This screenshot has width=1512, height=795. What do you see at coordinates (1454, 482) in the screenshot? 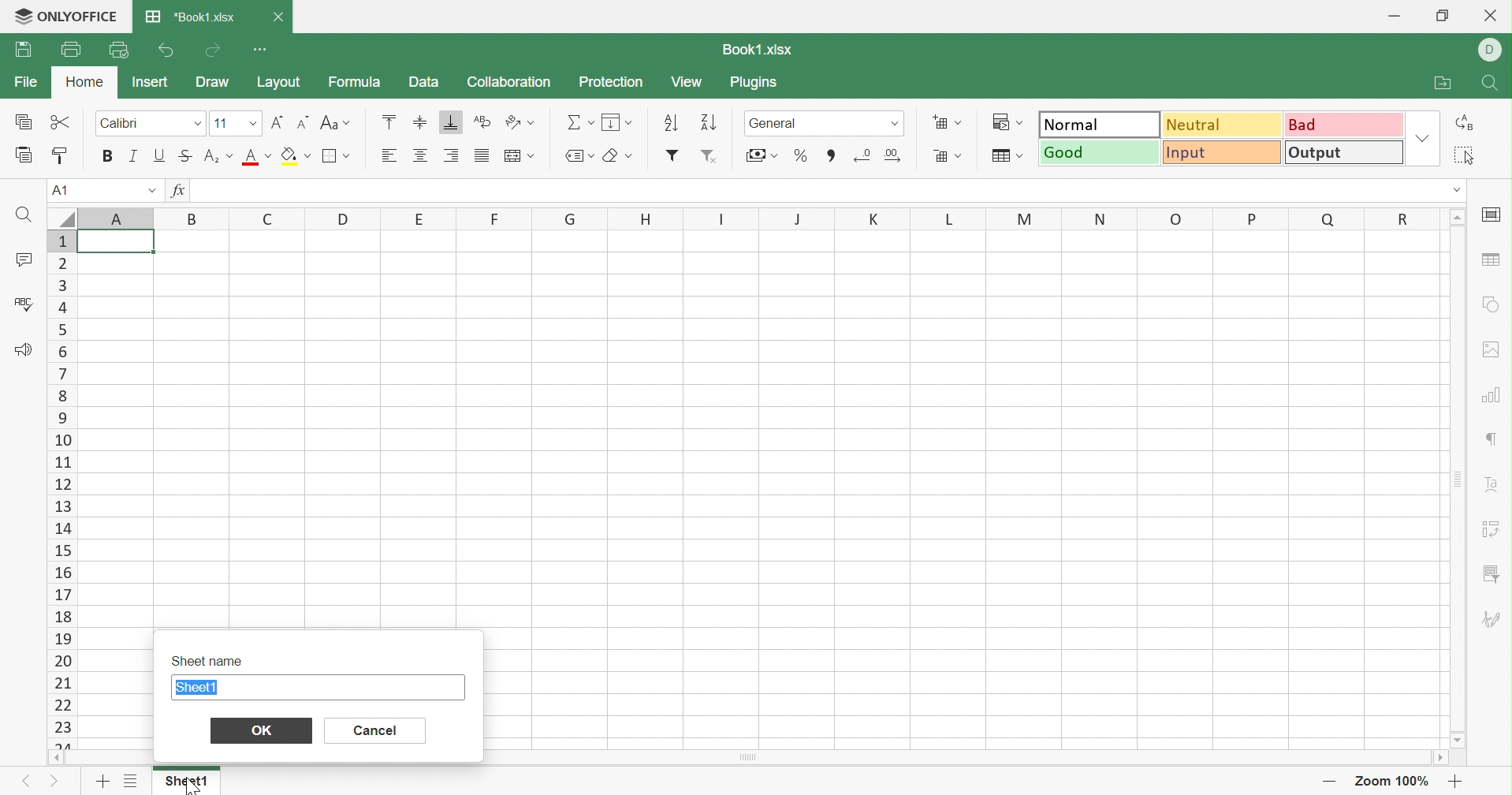
I see `Scroll Bar` at bounding box center [1454, 482].